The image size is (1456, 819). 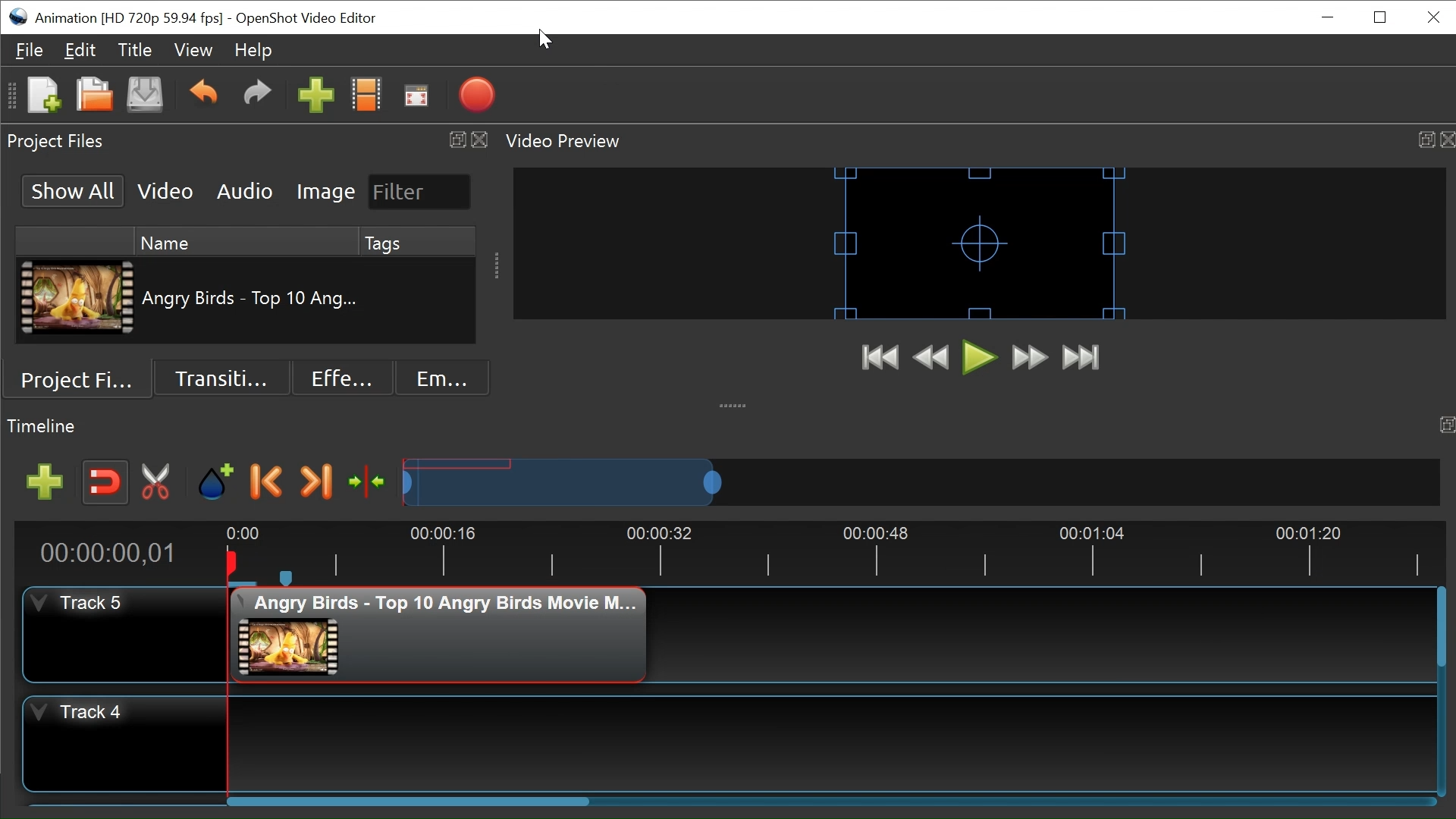 I want to click on Undo, so click(x=206, y=96).